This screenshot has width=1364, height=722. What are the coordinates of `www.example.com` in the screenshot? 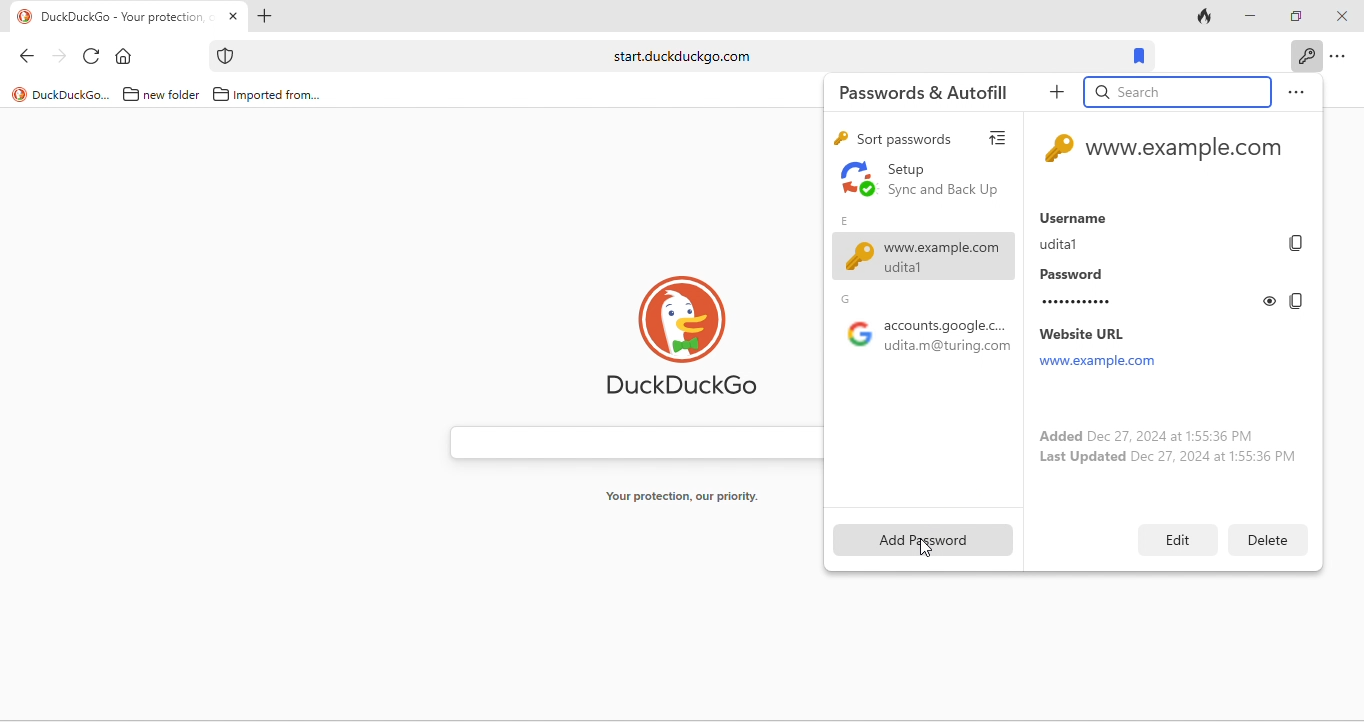 It's located at (1097, 363).